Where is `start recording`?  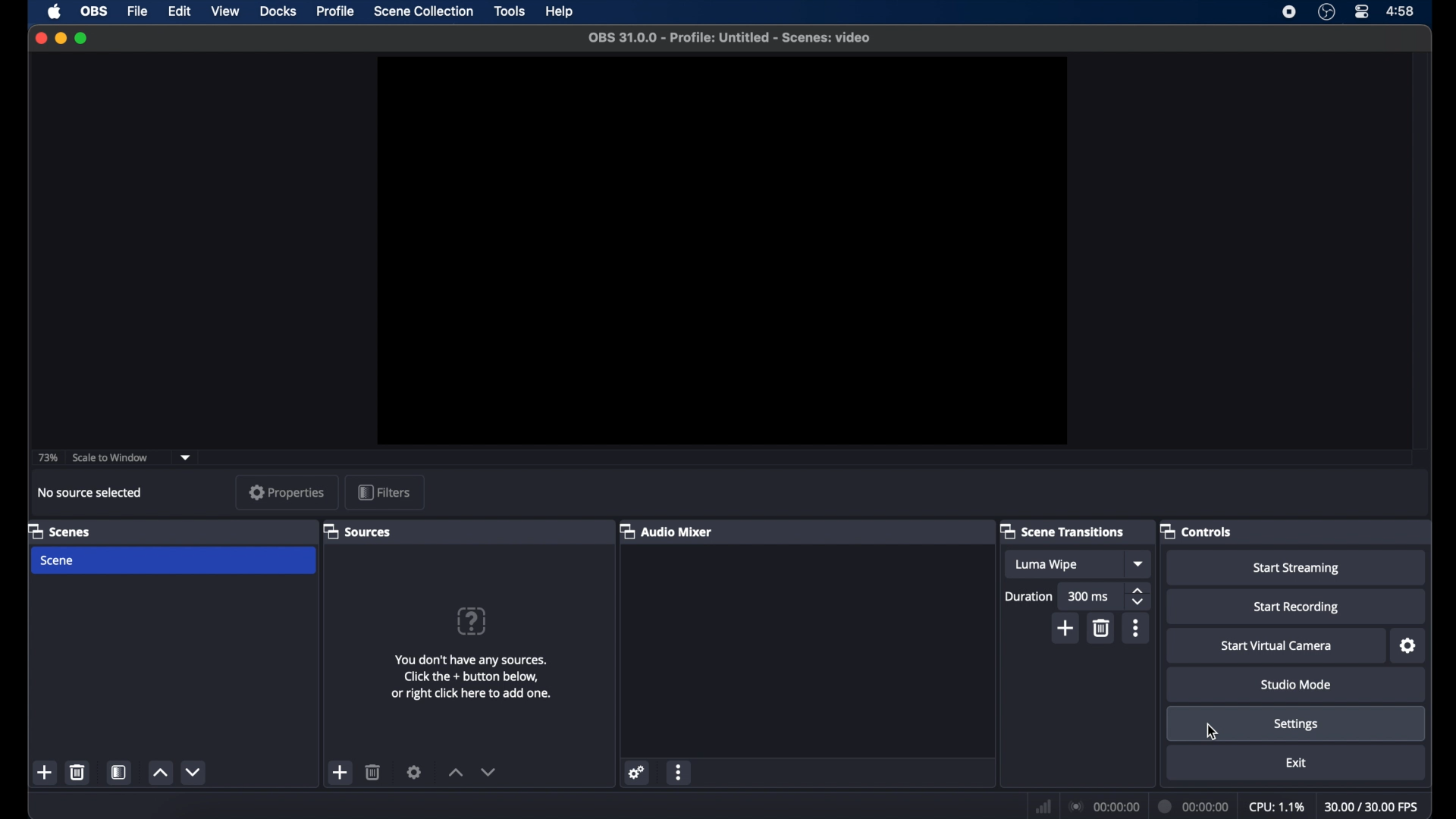 start recording is located at coordinates (1295, 607).